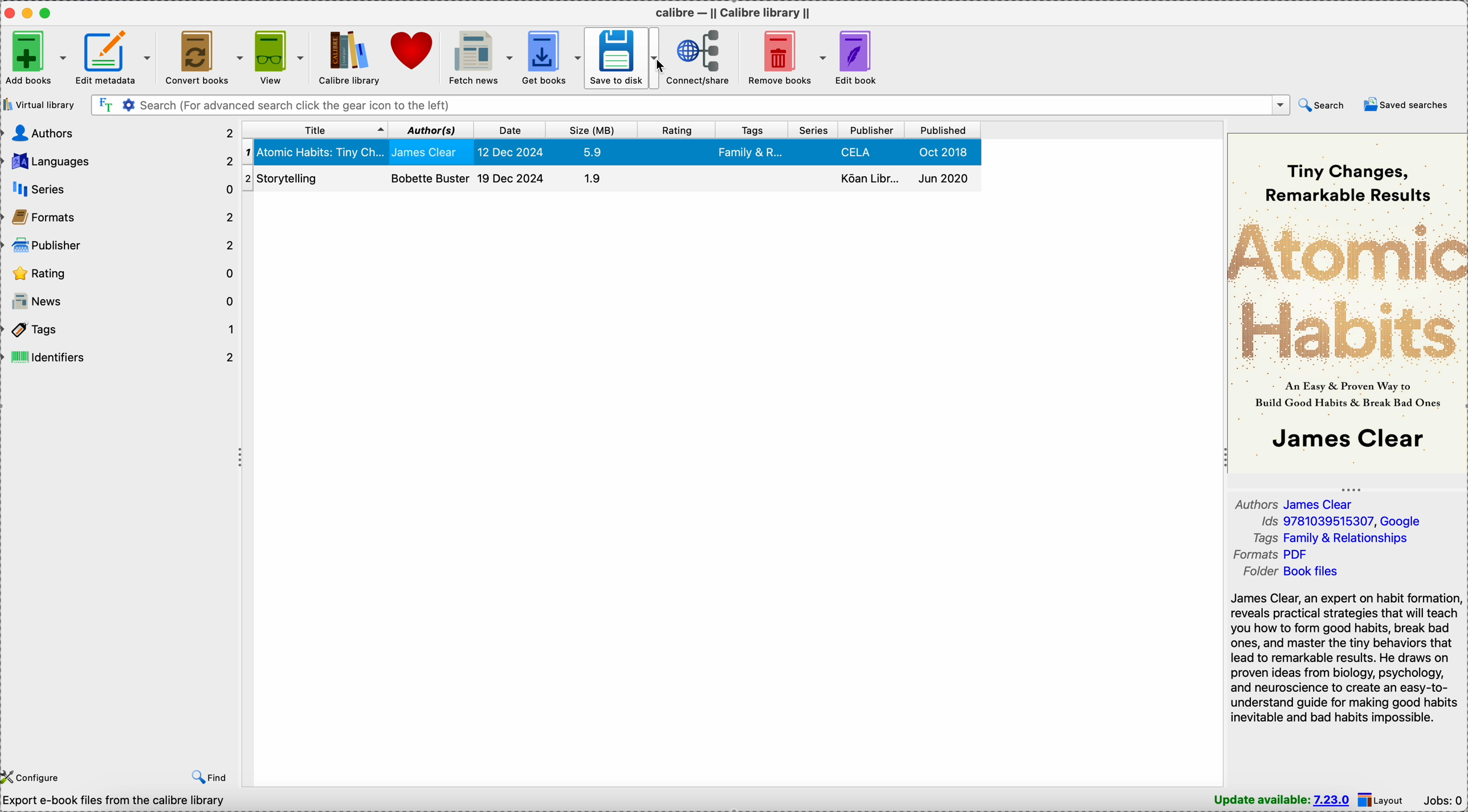 This screenshot has height=812, width=1468. I want to click on authors, so click(119, 132).